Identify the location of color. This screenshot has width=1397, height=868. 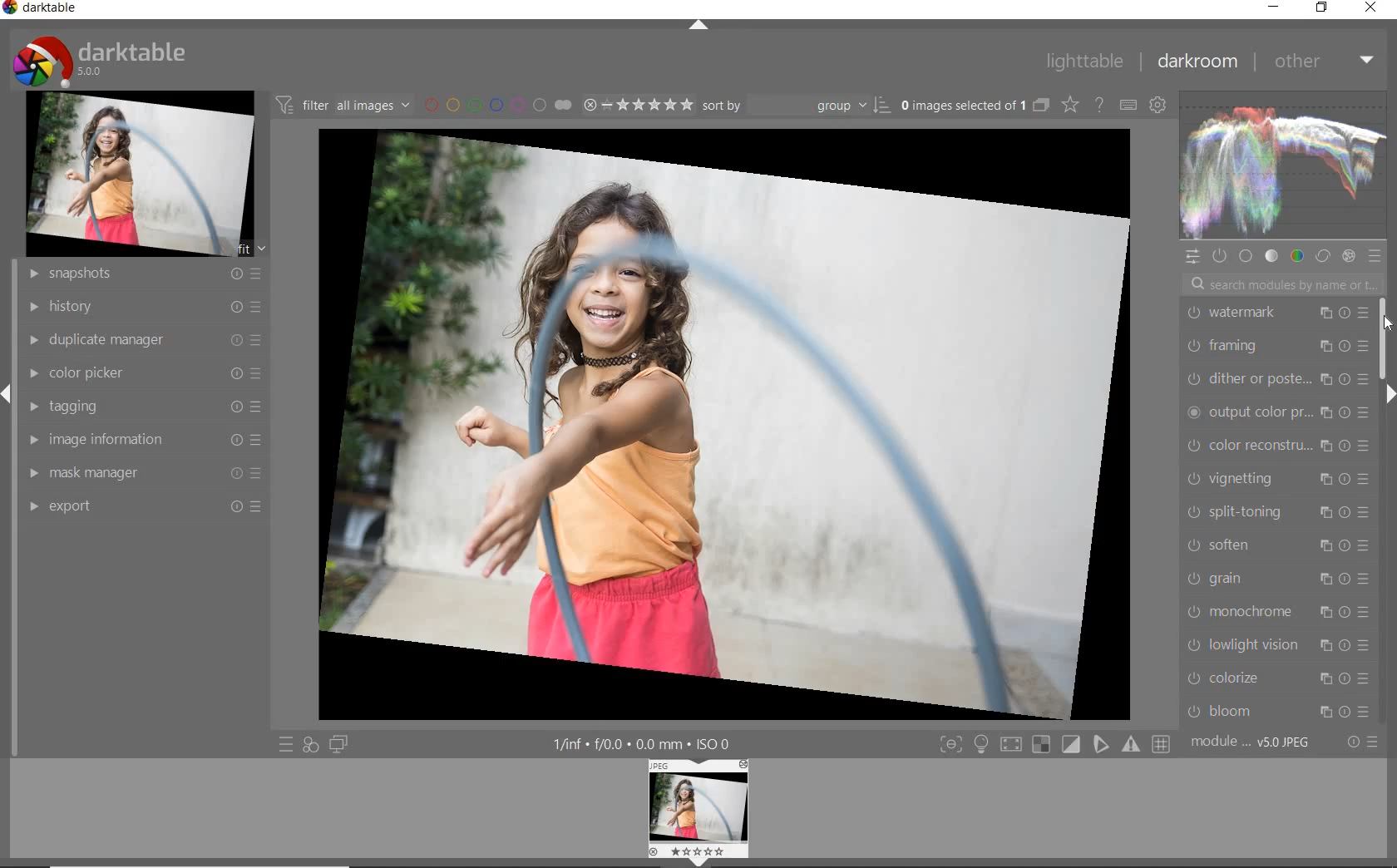
(1298, 258).